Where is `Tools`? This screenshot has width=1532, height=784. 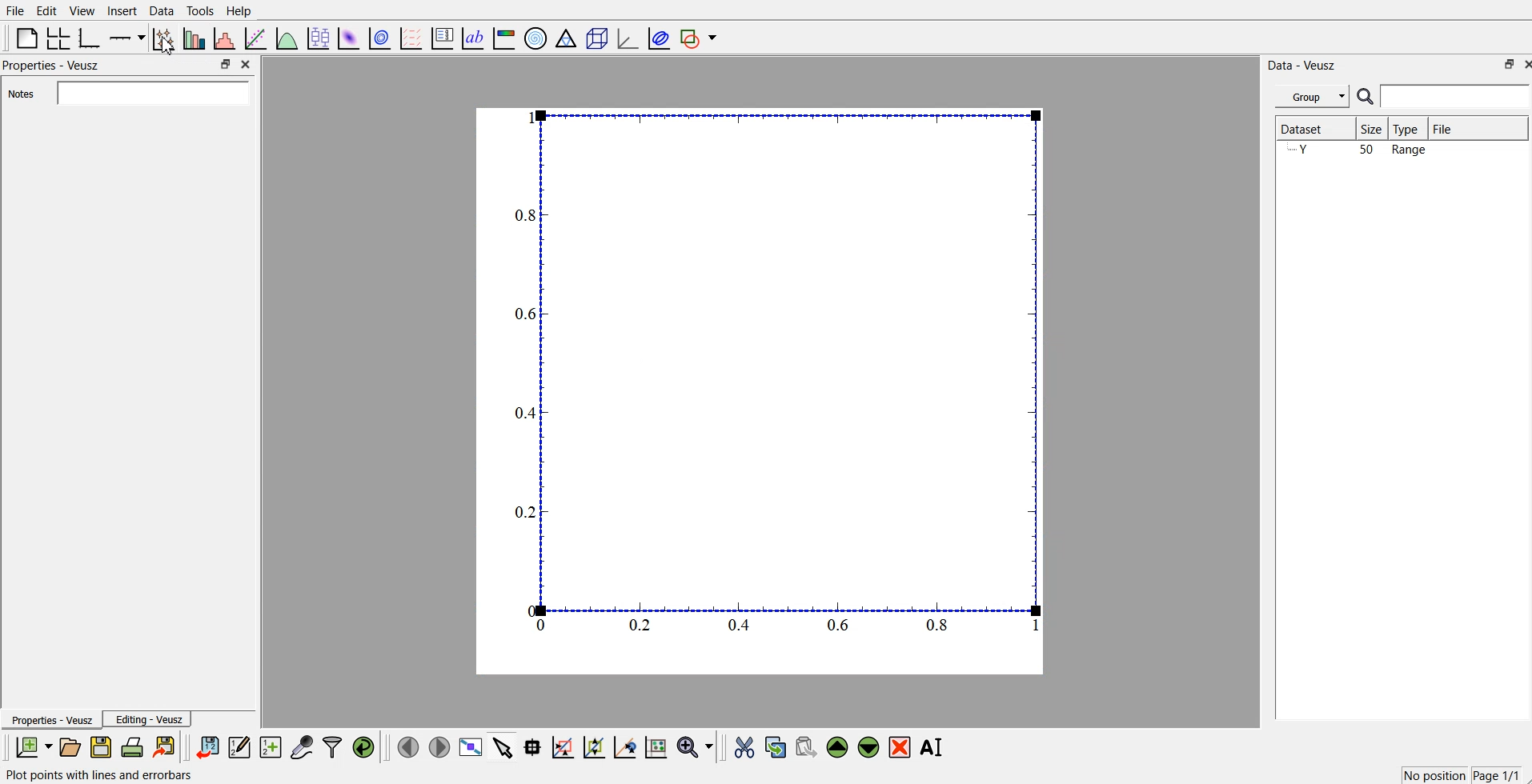 Tools is located at coordinates (200, 11).